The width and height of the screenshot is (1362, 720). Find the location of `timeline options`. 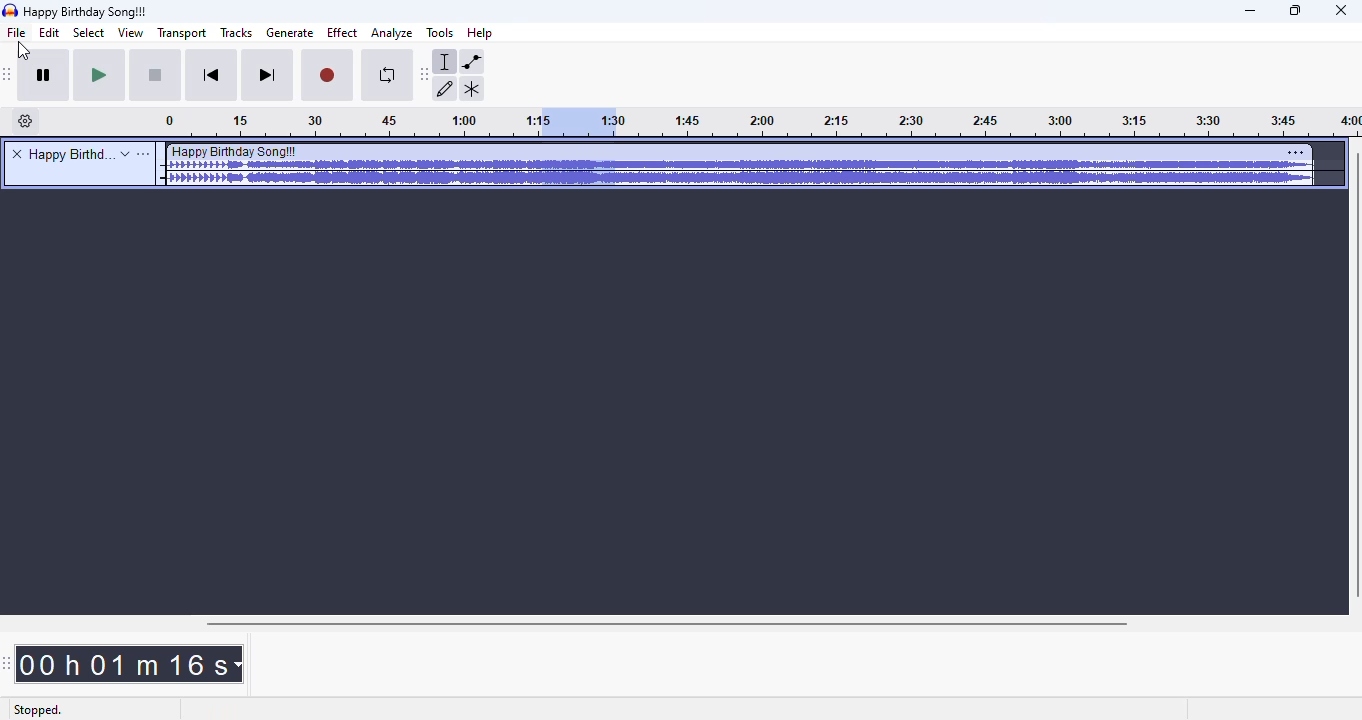

timeline options is located at coordinates (26, 121).